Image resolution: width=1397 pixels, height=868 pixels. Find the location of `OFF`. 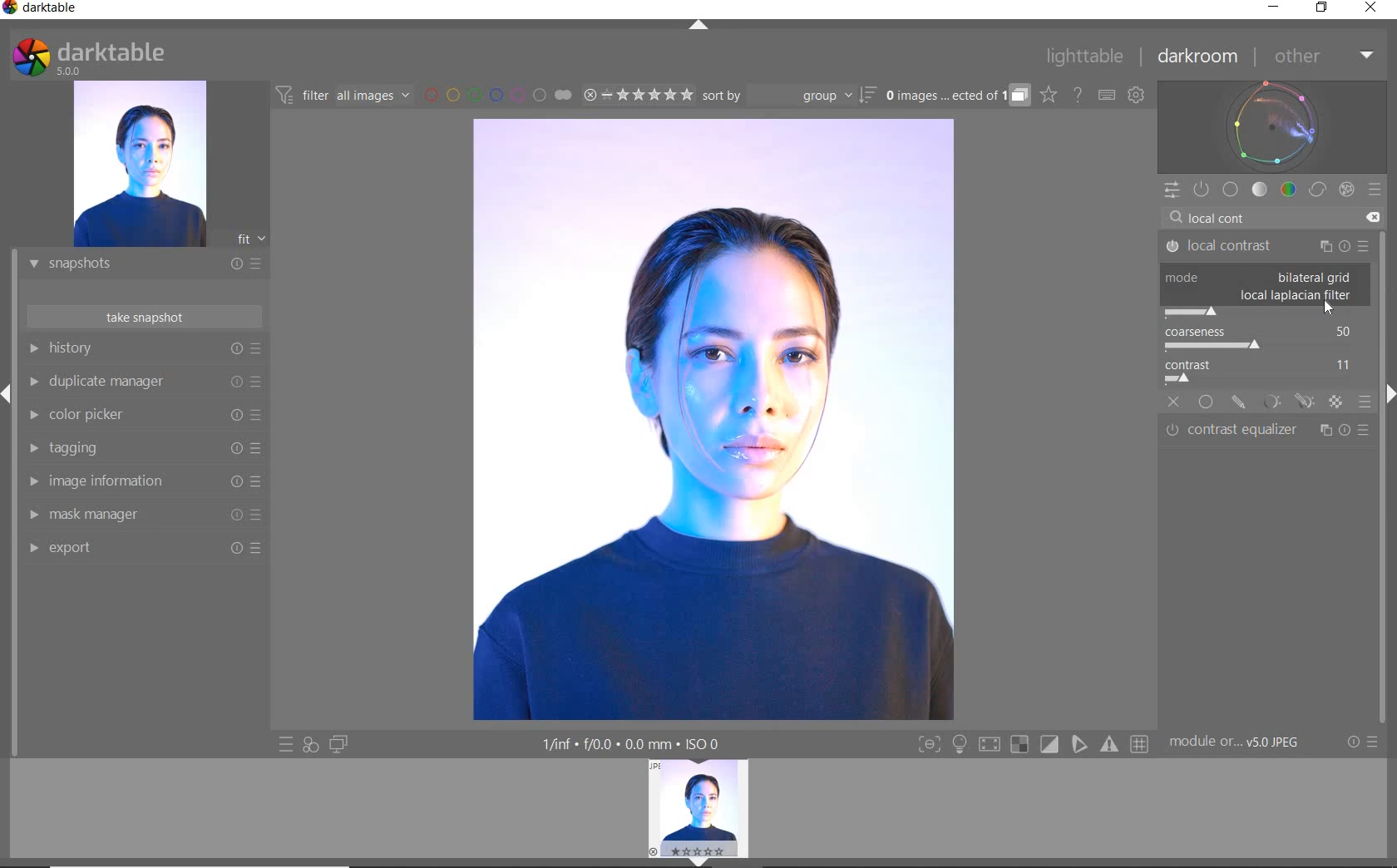

OFF is located at coordinates (1173, 403).